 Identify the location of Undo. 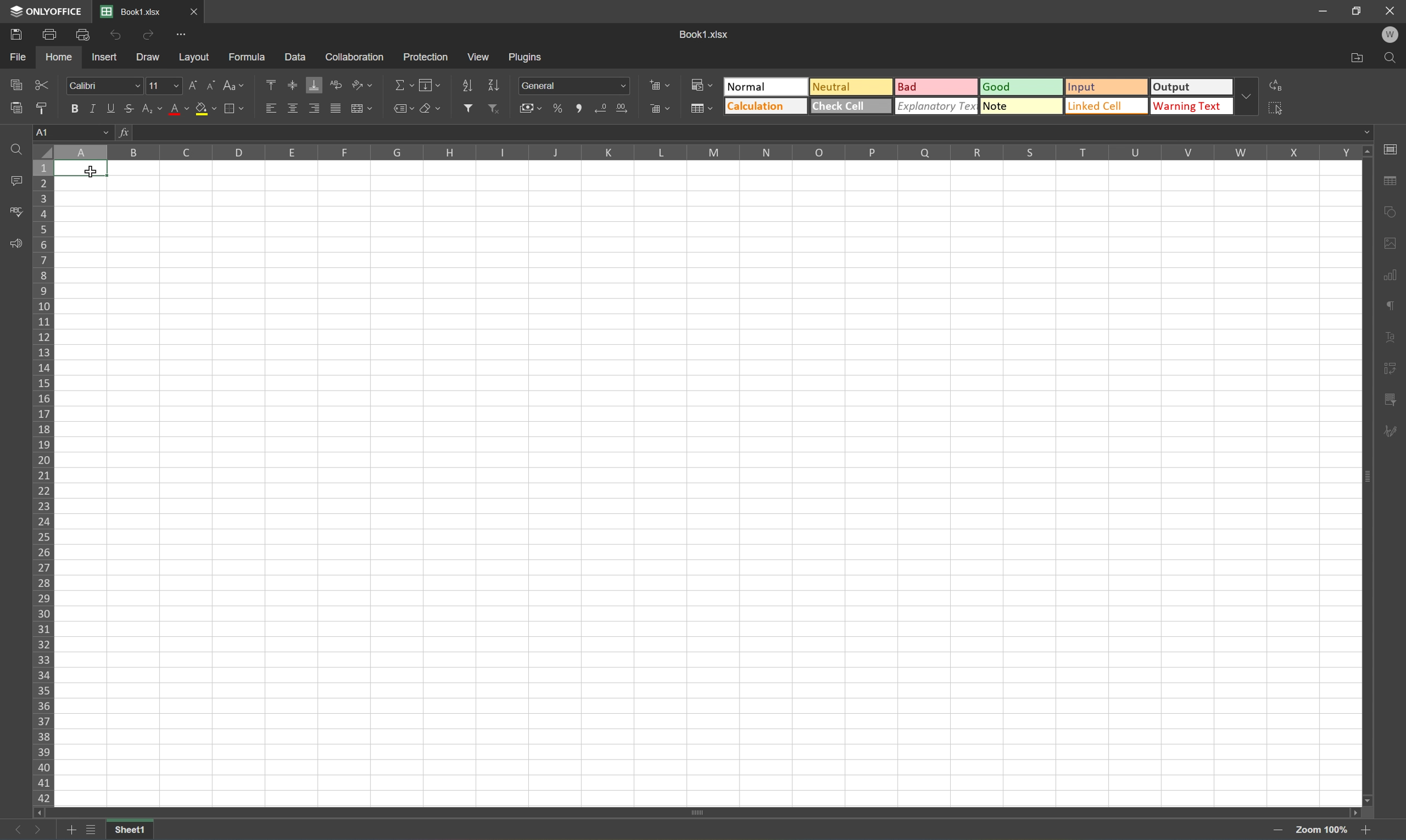
(117, 35).